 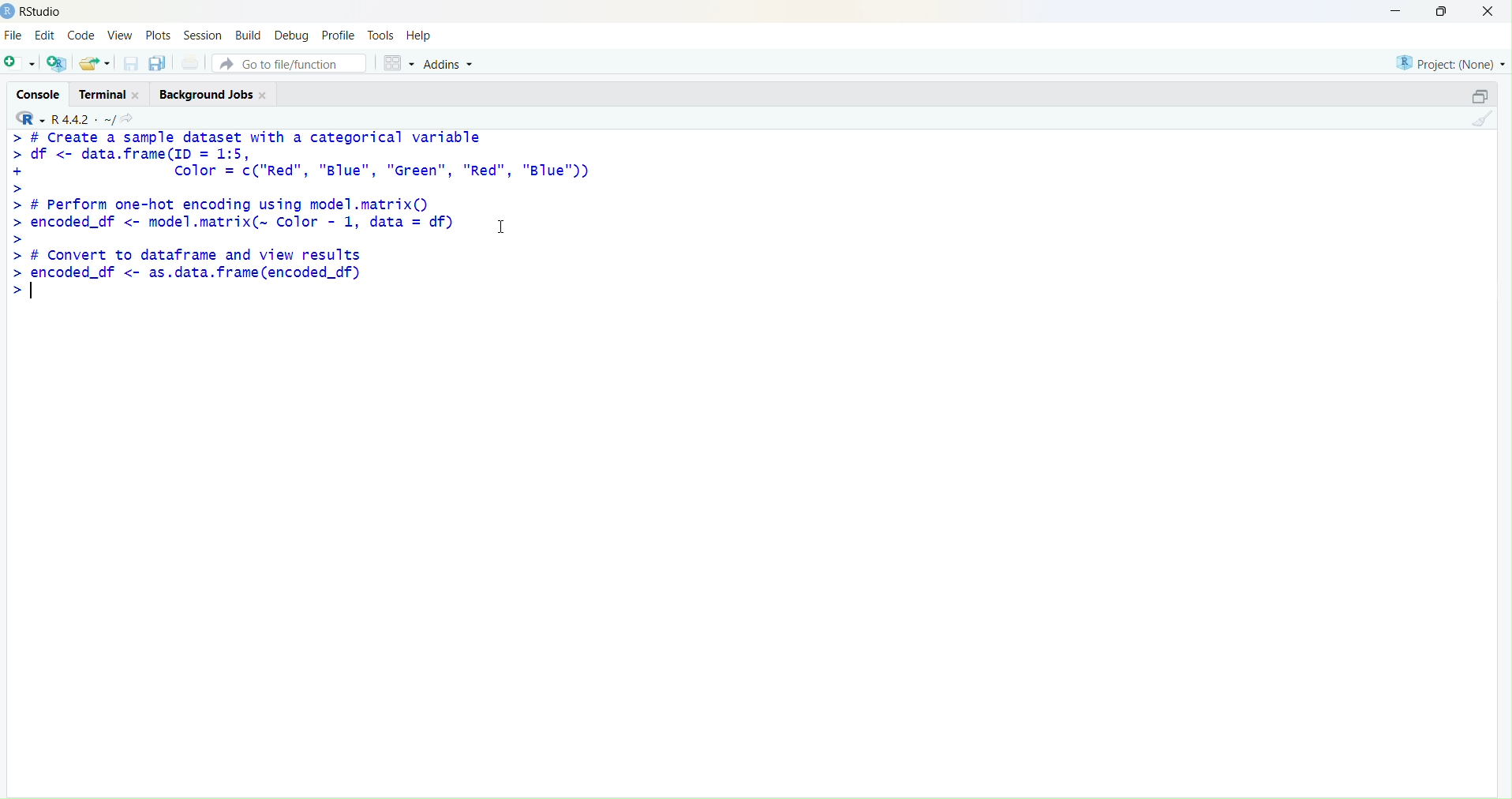 What do you see at coordinates (204, 36) in the screenshot?
I see `session` at bounding box center [204, 36].